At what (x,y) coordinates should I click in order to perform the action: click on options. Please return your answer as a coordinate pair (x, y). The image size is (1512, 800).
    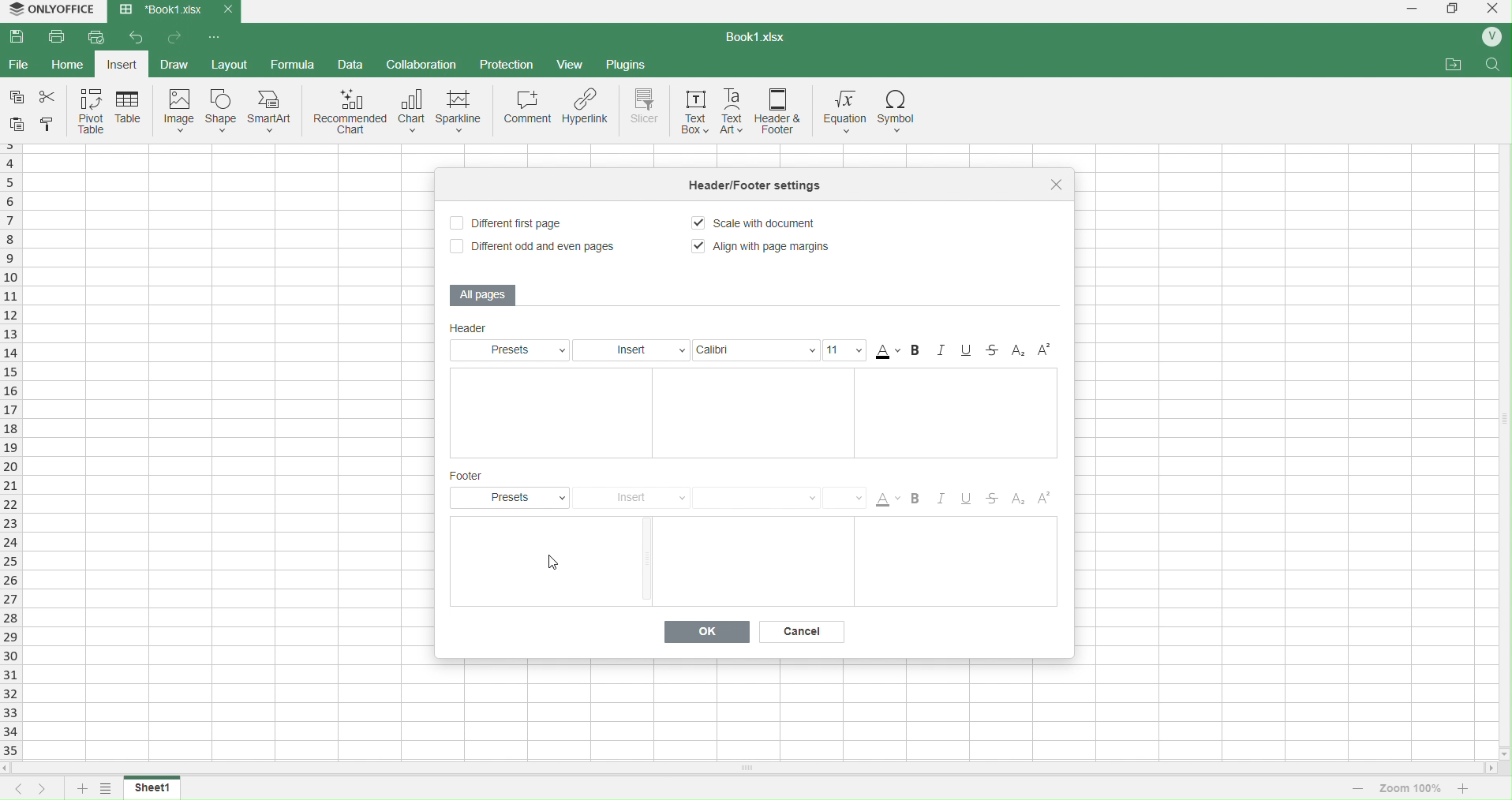
    Looking at the image, I should click on (216, 37).